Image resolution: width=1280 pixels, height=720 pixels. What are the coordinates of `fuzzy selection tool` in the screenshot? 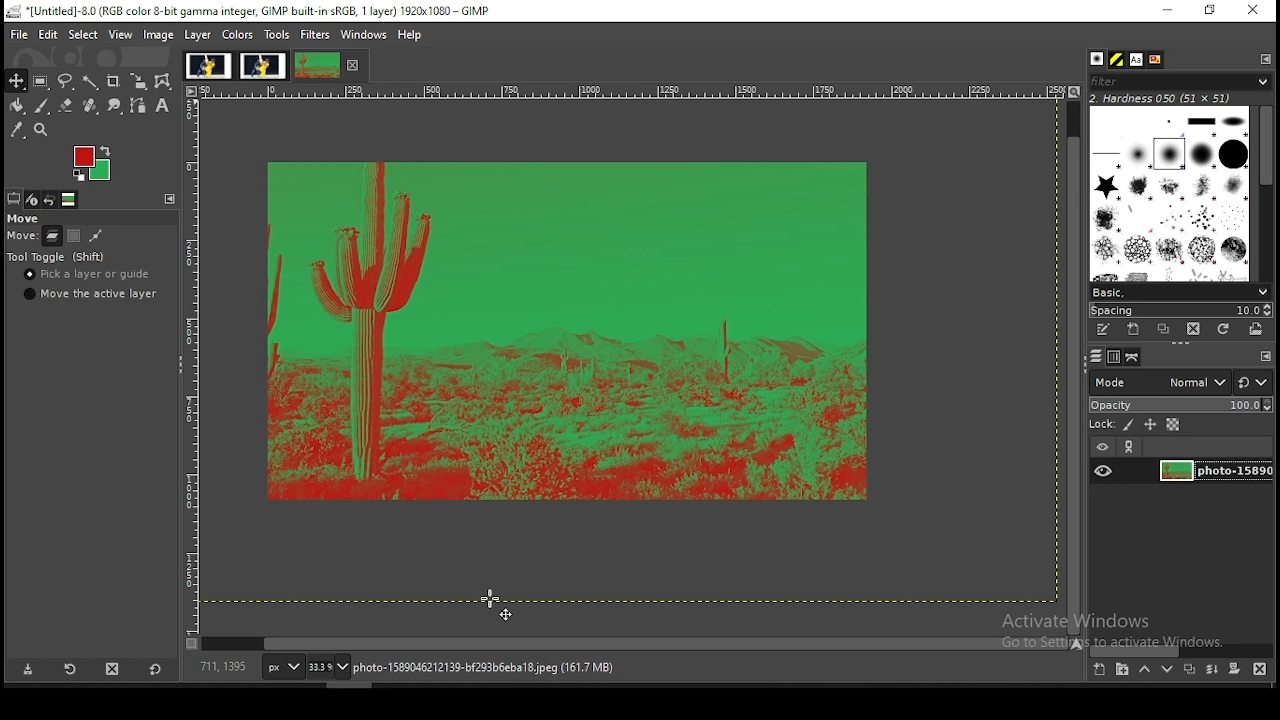 It's located at (92, 81).